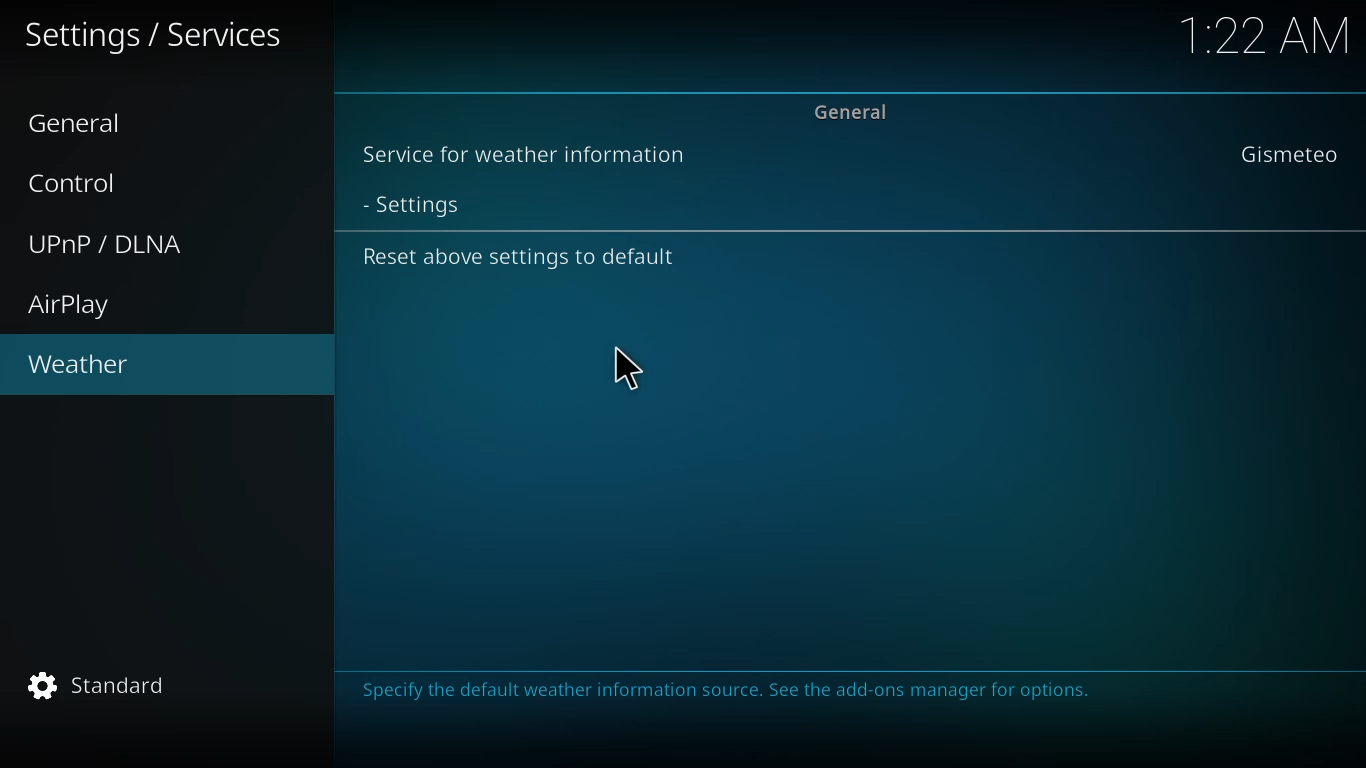 The width and height of the screenshot is (1366, 768). Describe the element at coordinates (79, 366) in the screenshot. I see `weather` at that location.